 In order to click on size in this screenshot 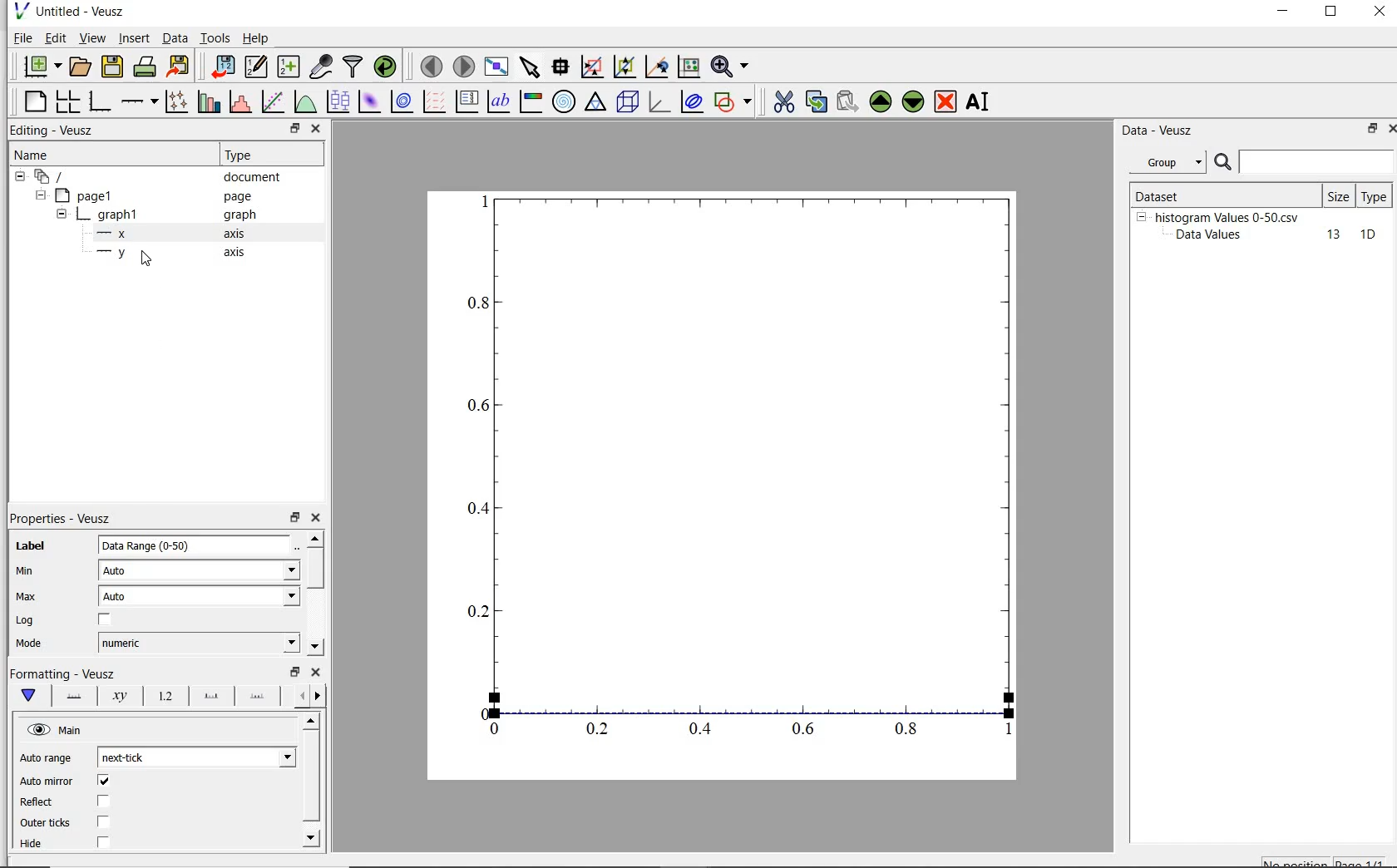, I will do `click(1338, 196)`.